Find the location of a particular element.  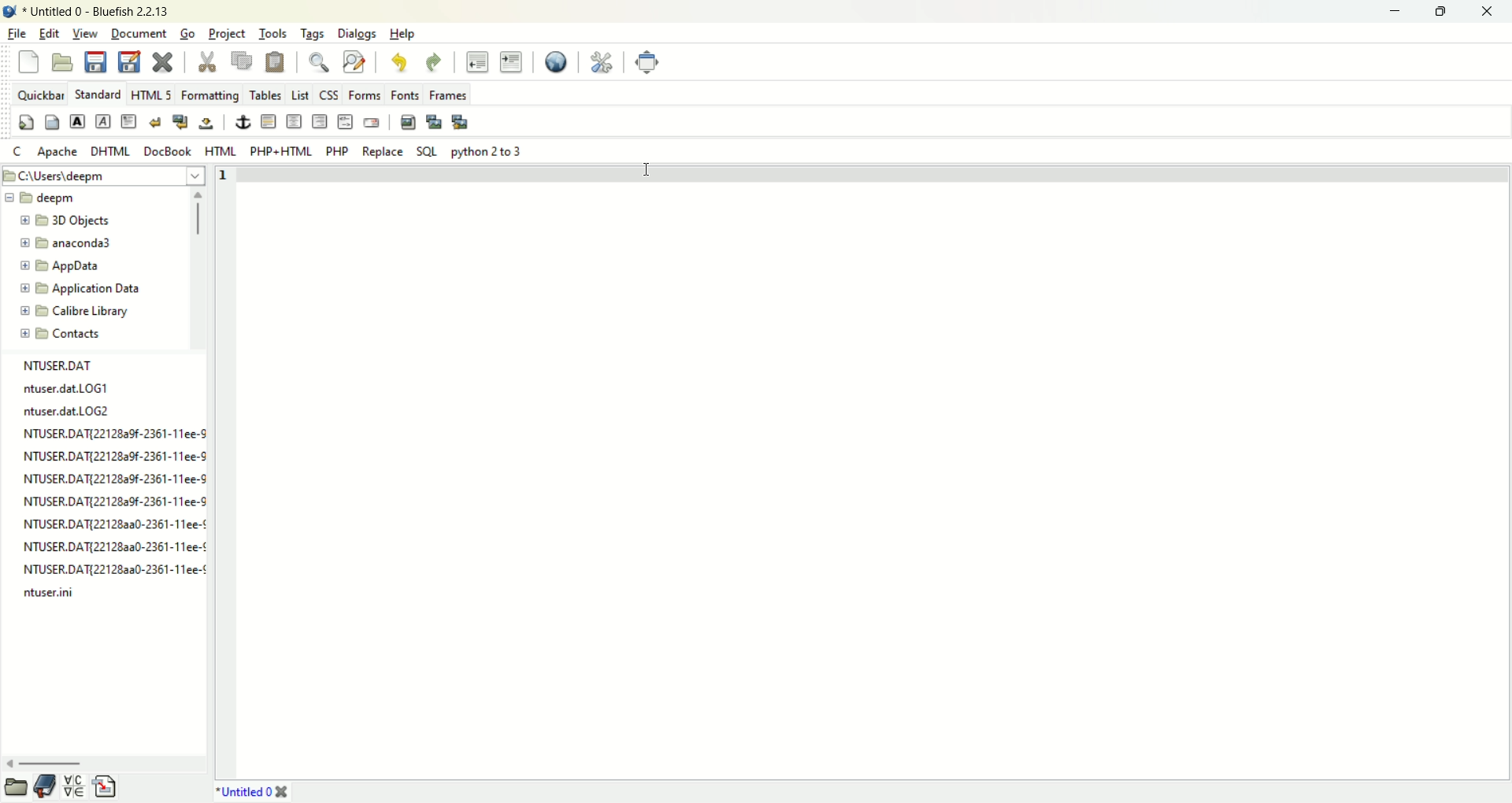

List is located at coordinates (299, 96).